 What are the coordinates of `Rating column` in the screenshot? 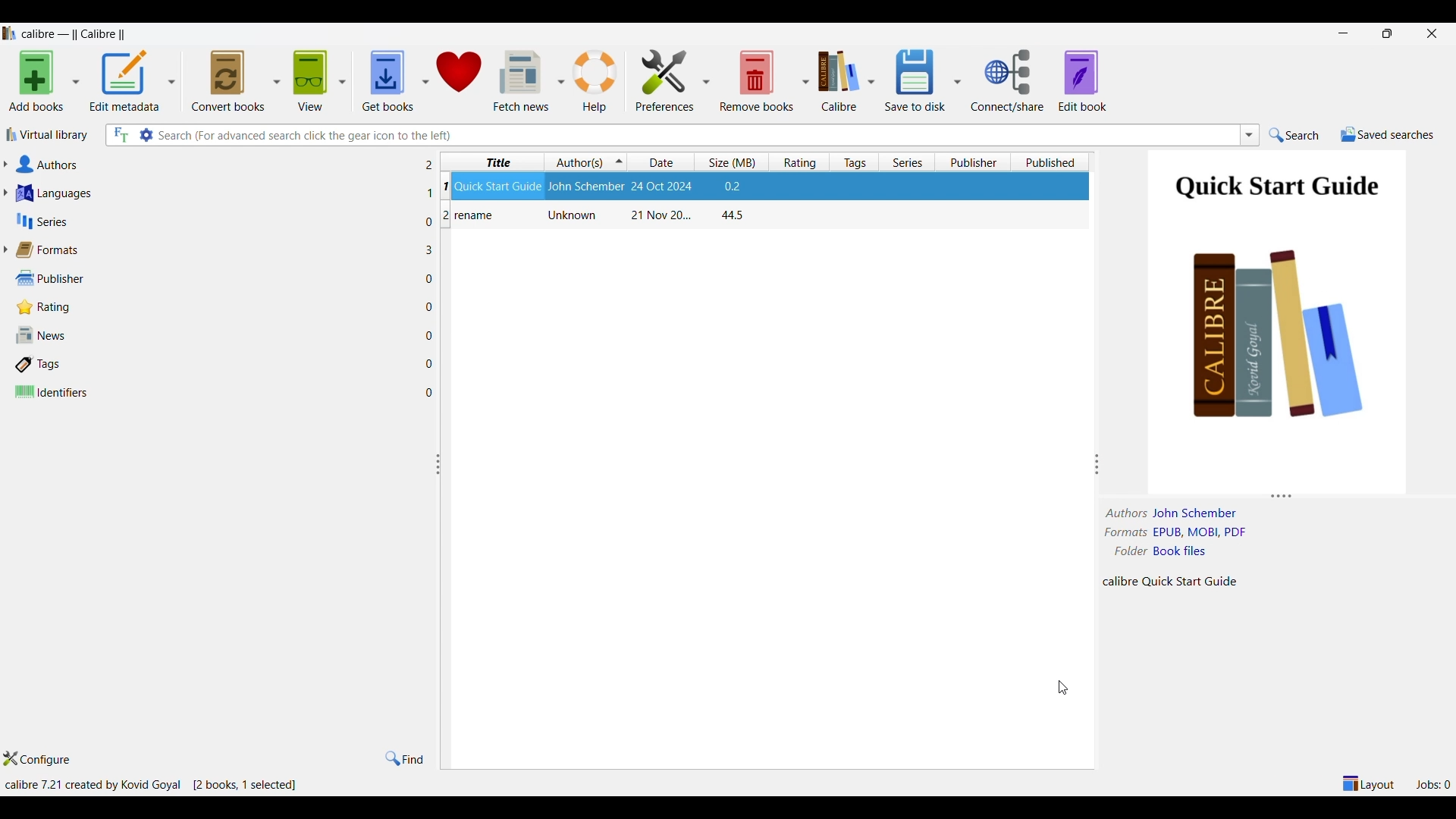 It's located at (798, 162).